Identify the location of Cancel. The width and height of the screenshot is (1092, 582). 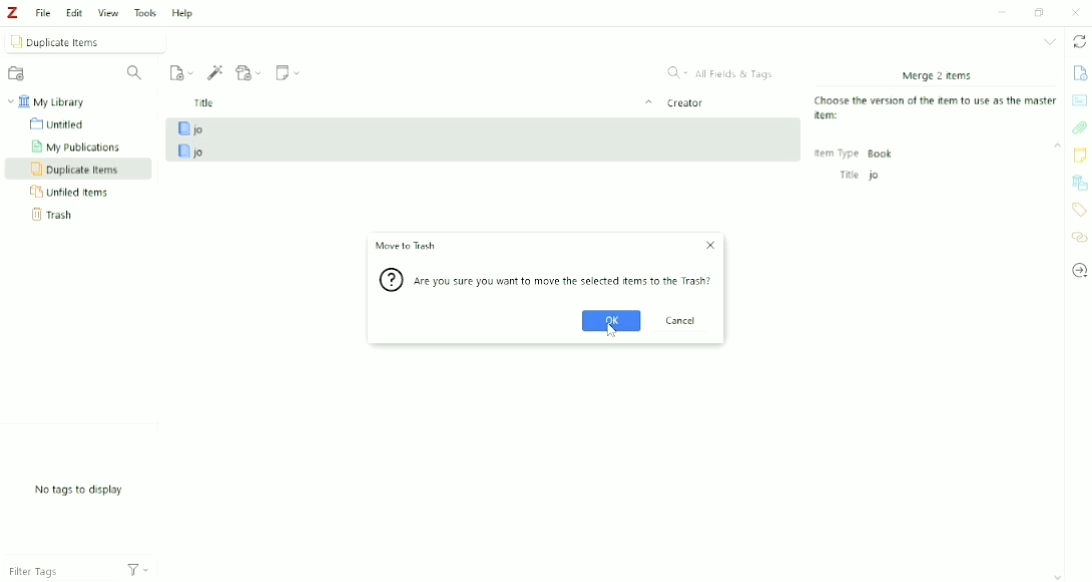
(684, 319).